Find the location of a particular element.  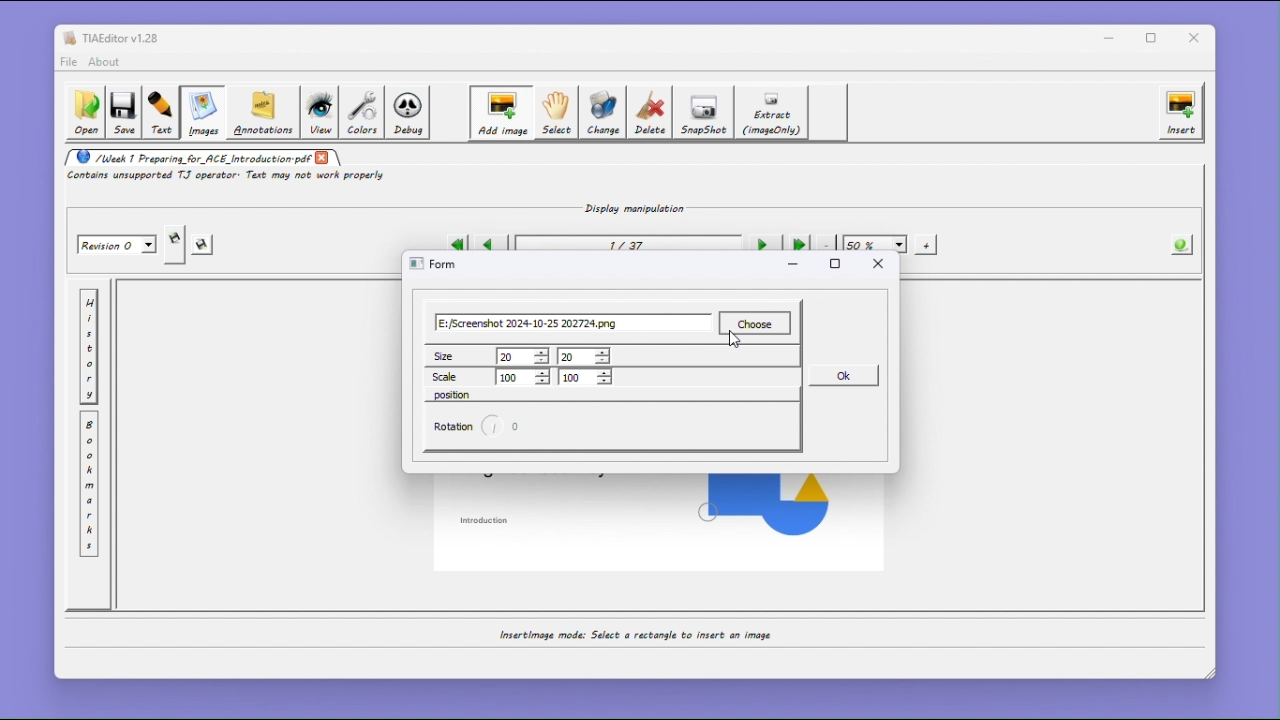

100 is located at coordinates (585, 377).